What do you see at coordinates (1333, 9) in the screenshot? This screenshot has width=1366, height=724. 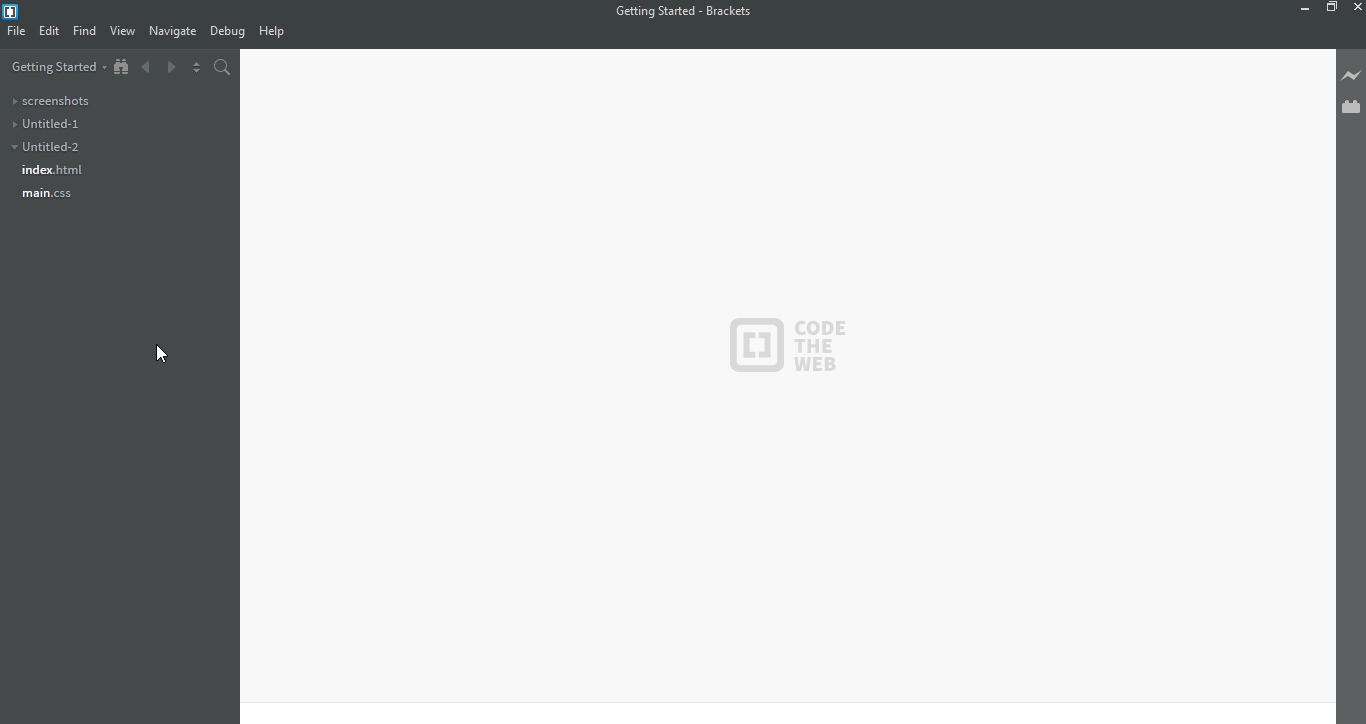 I see `restore` at bounding box center [1333, 9].